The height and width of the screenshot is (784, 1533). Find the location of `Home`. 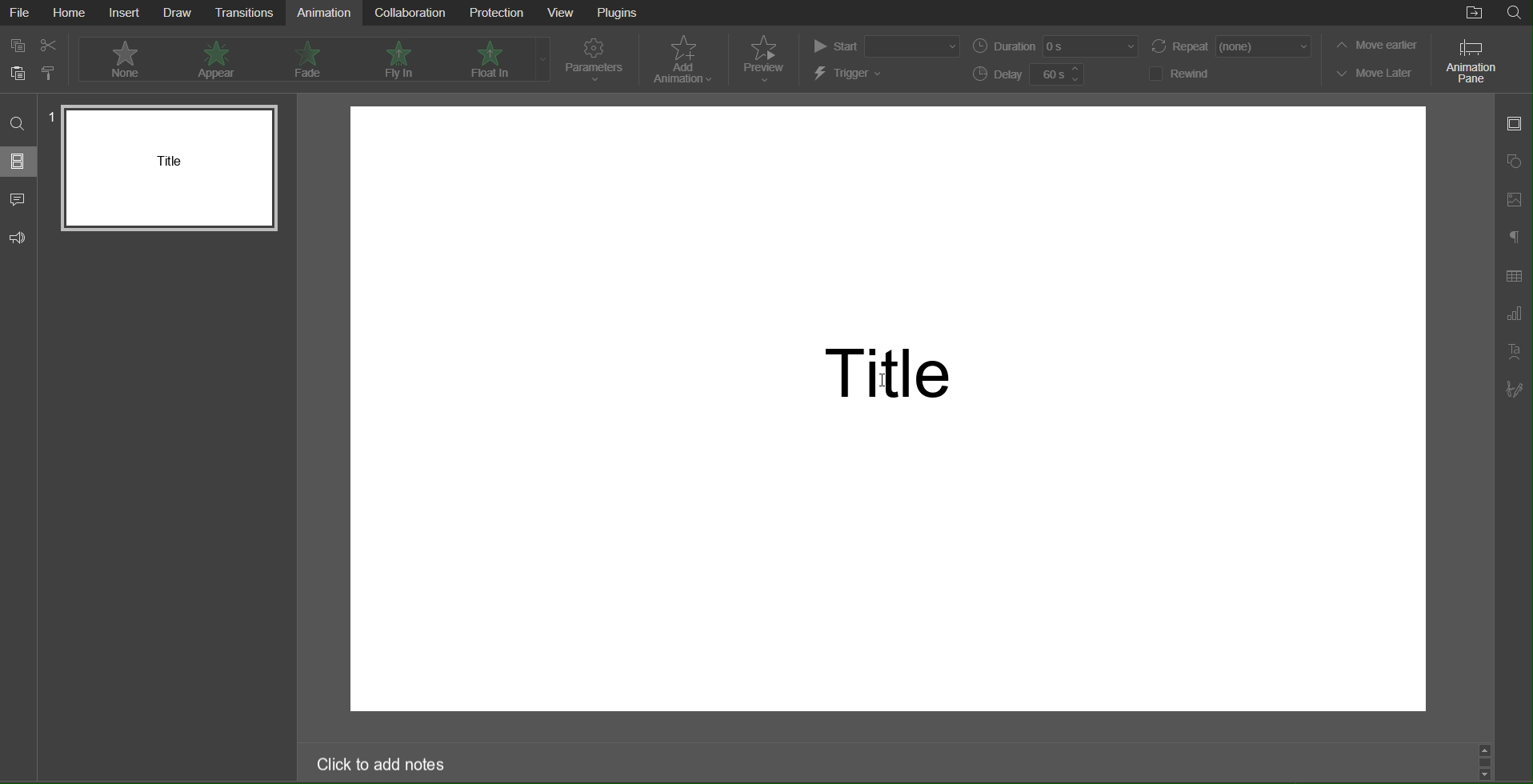

Home is located at coordinates (70, 12).